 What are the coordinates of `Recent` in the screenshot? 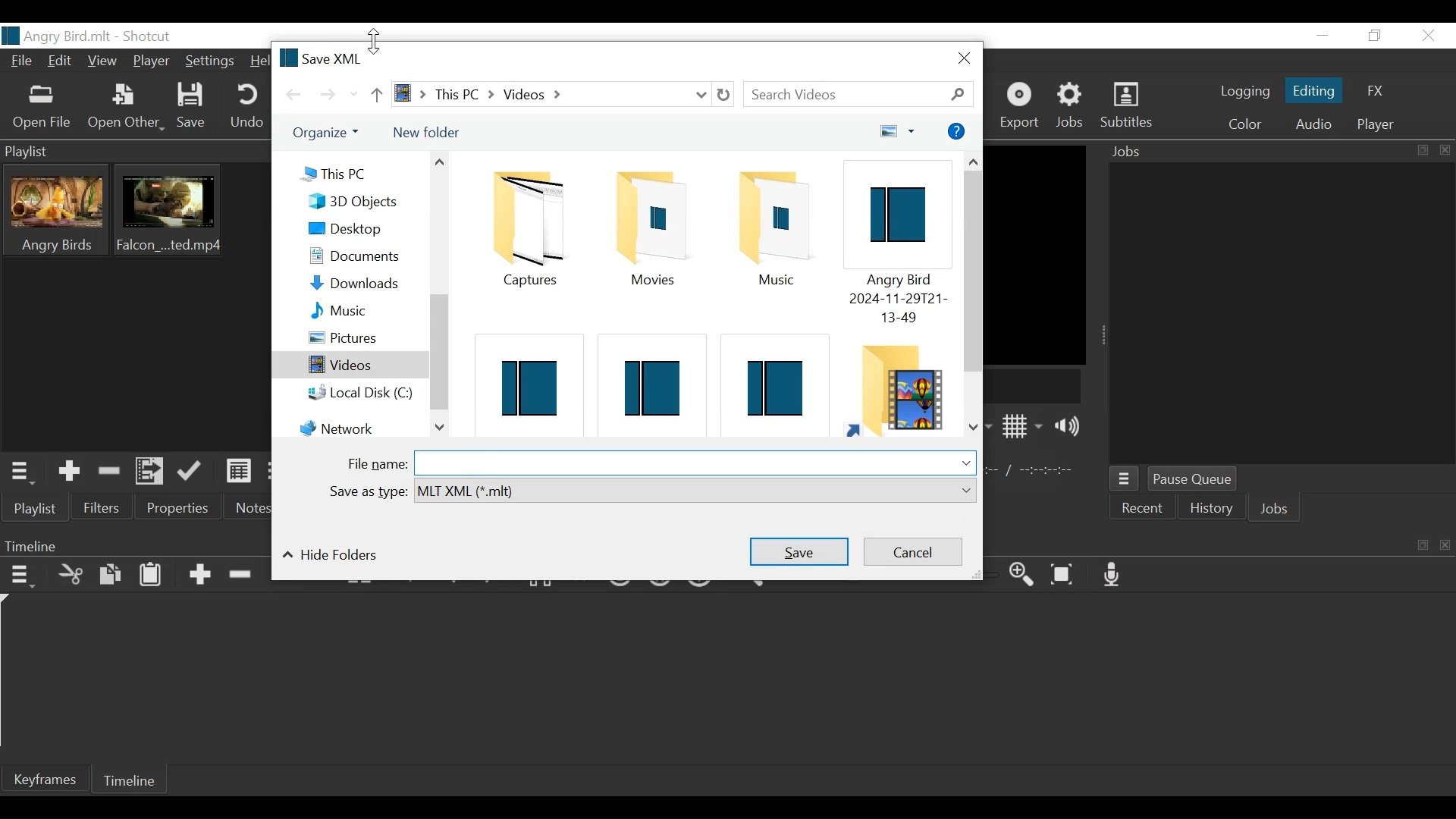 It's located at (1144, 510).